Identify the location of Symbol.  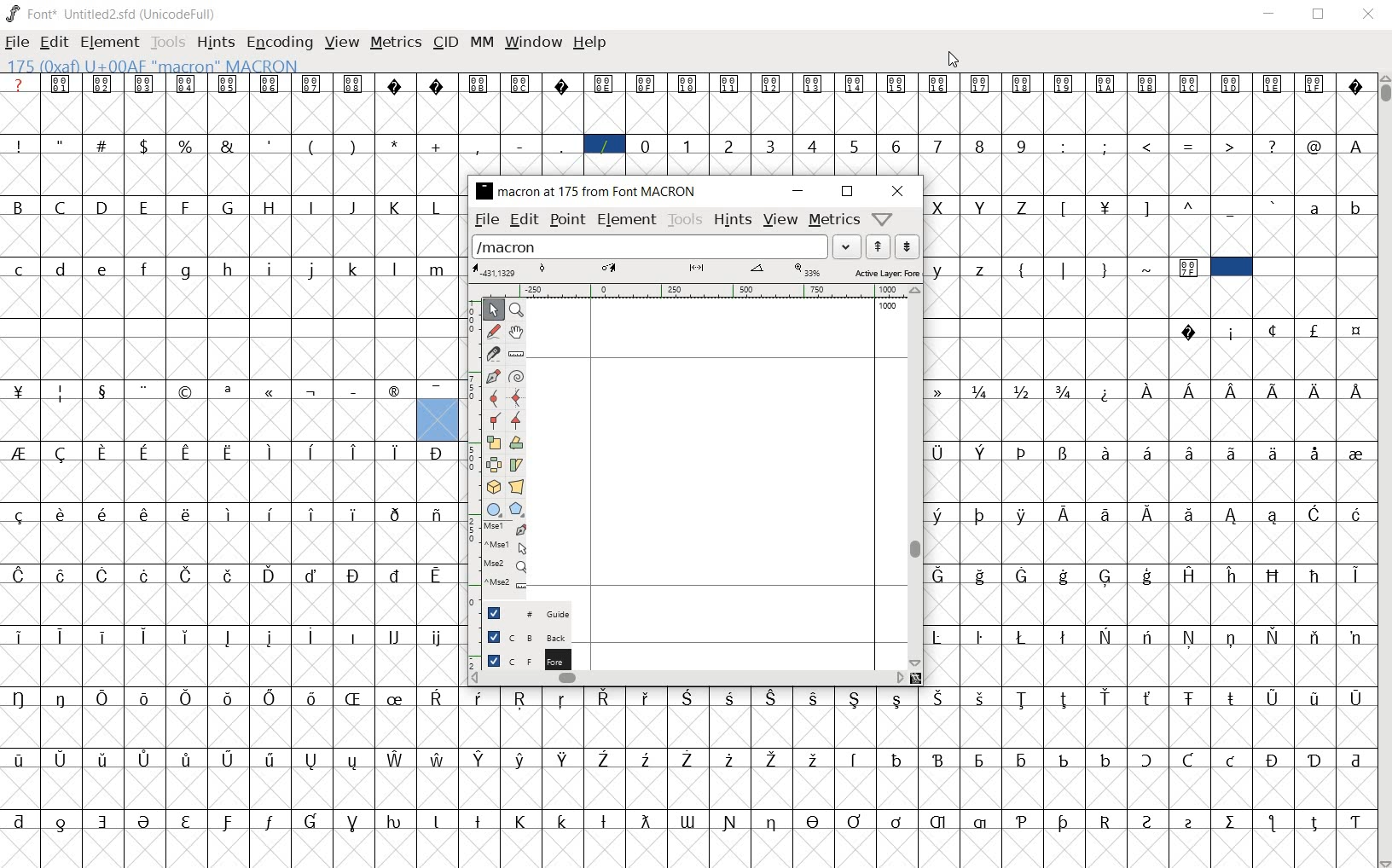
(230, 757).